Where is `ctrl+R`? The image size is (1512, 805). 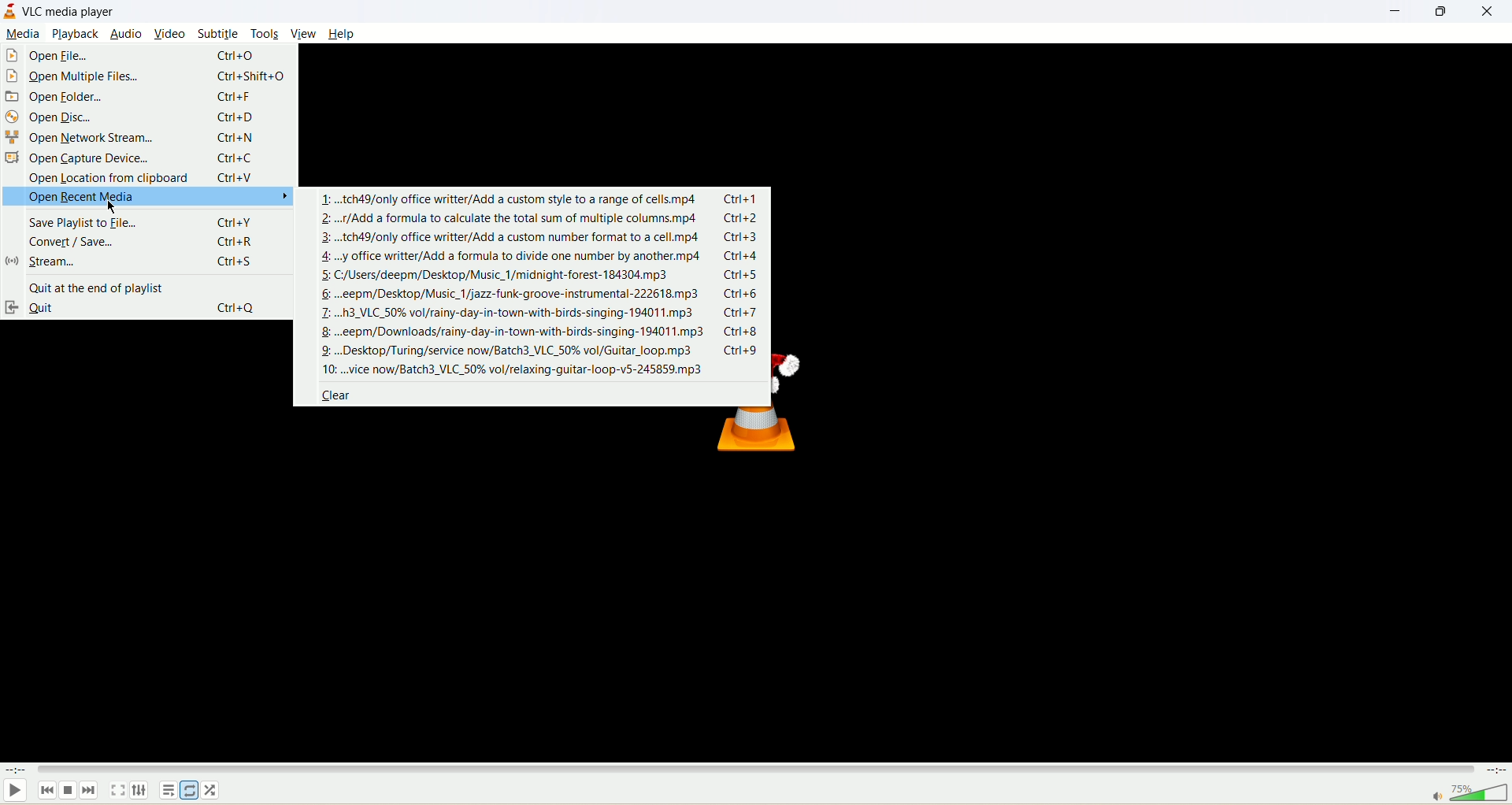
ctrl+R is located at coordinates (235, 242).